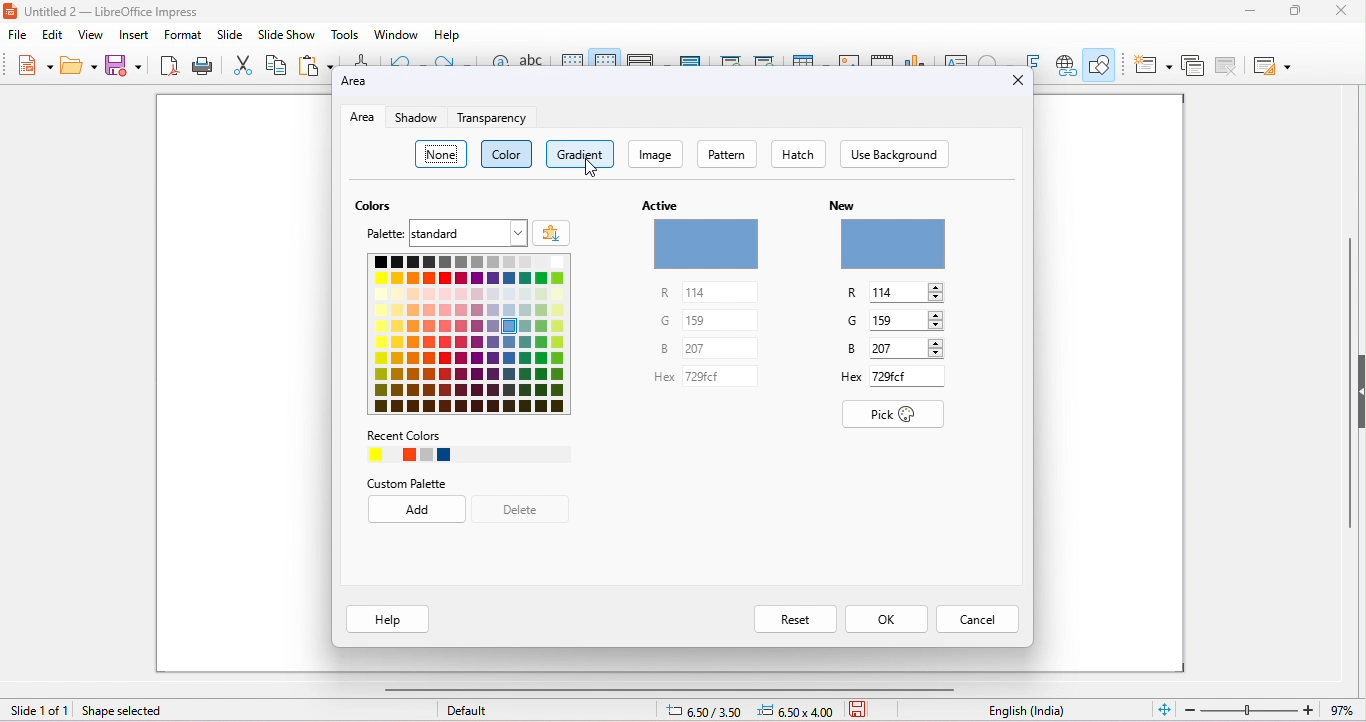 The height and width of the screenshot is (722, 1366). I want to click on 6.50x4.00 (object size), so click(799, 711).